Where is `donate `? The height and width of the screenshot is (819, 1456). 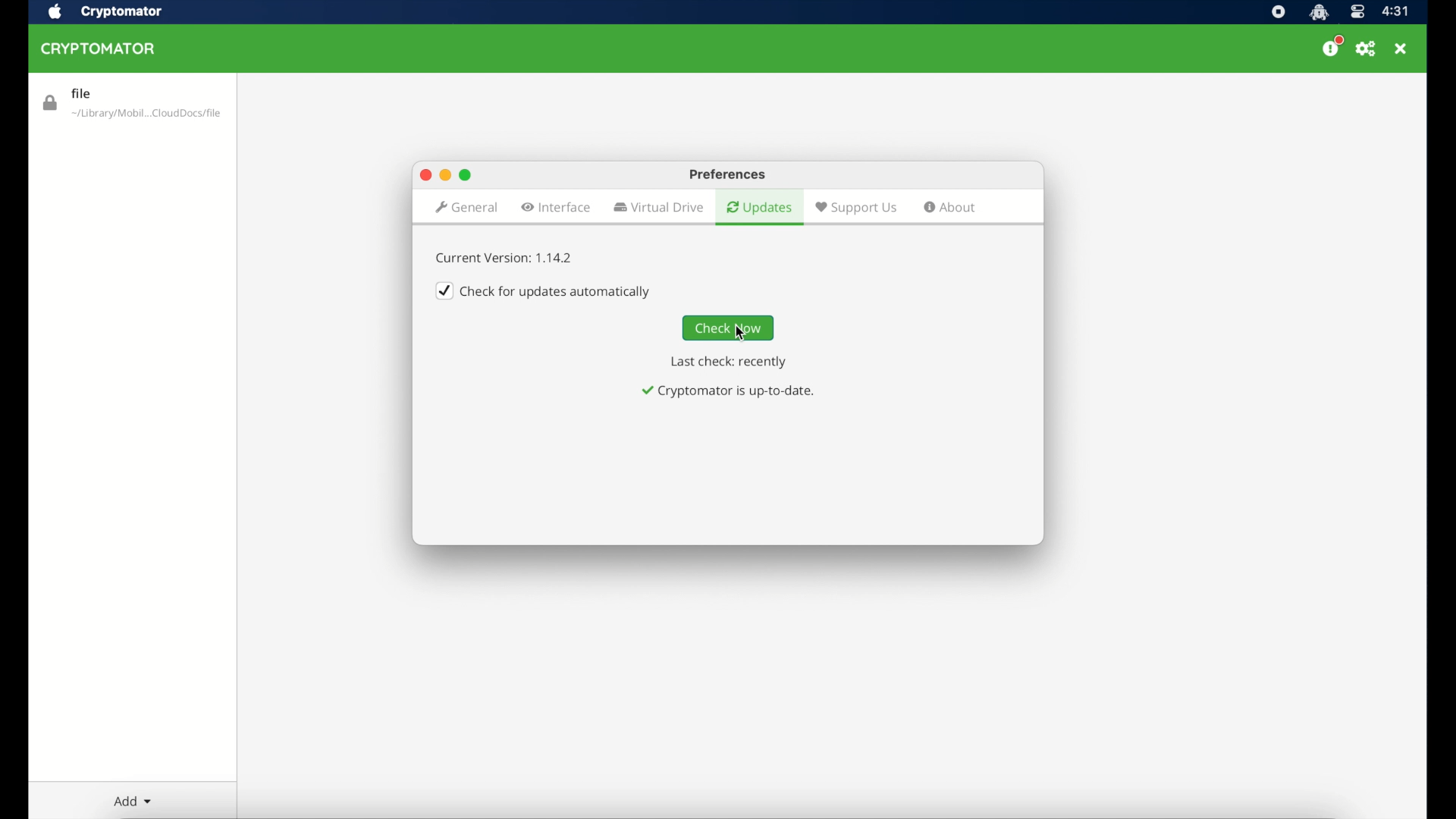
donate  is located at coordinates (1330, 47).